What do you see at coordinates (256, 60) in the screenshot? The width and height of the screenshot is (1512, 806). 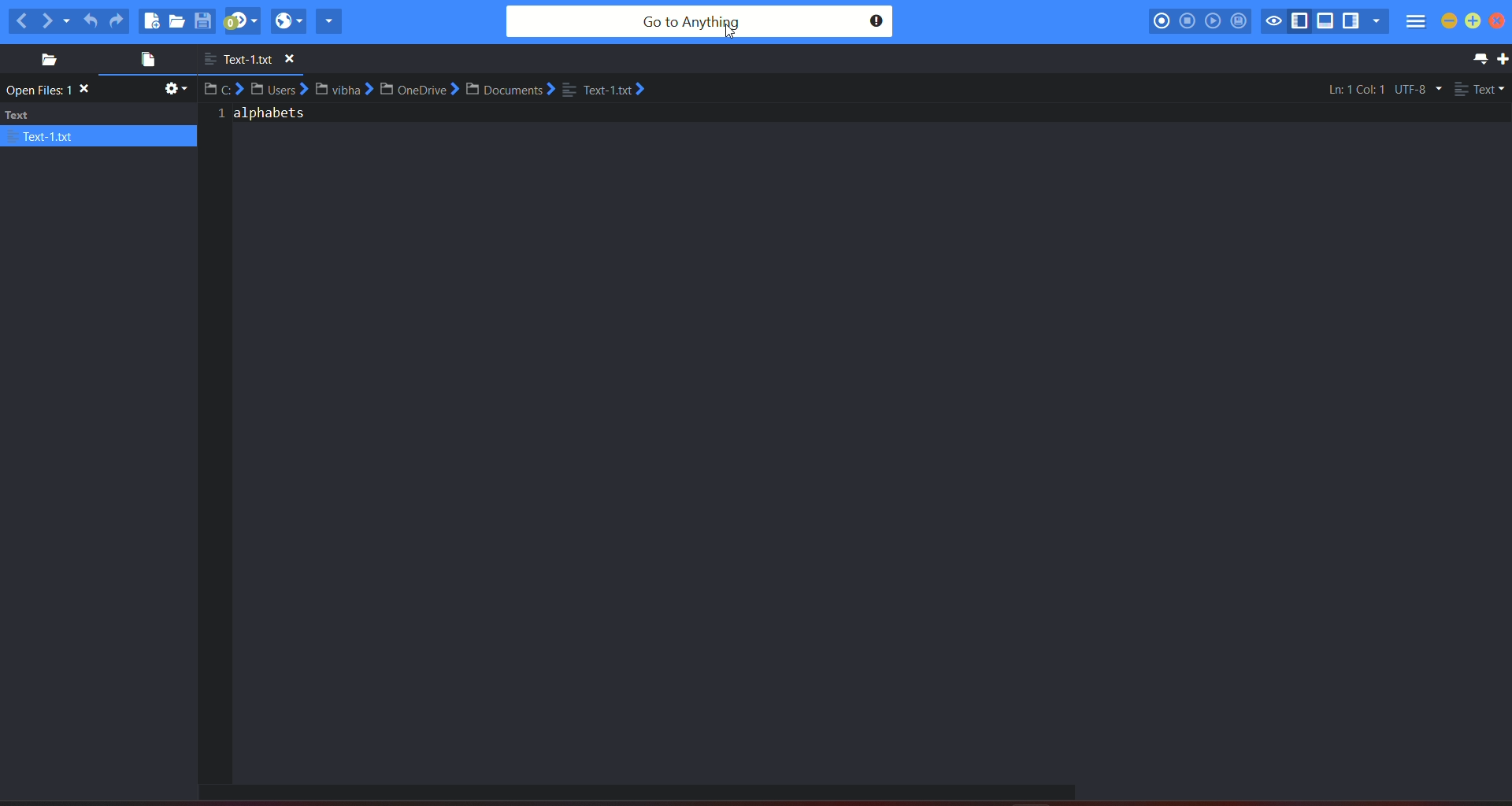 I see `file name` at bounding box center [256, 60].